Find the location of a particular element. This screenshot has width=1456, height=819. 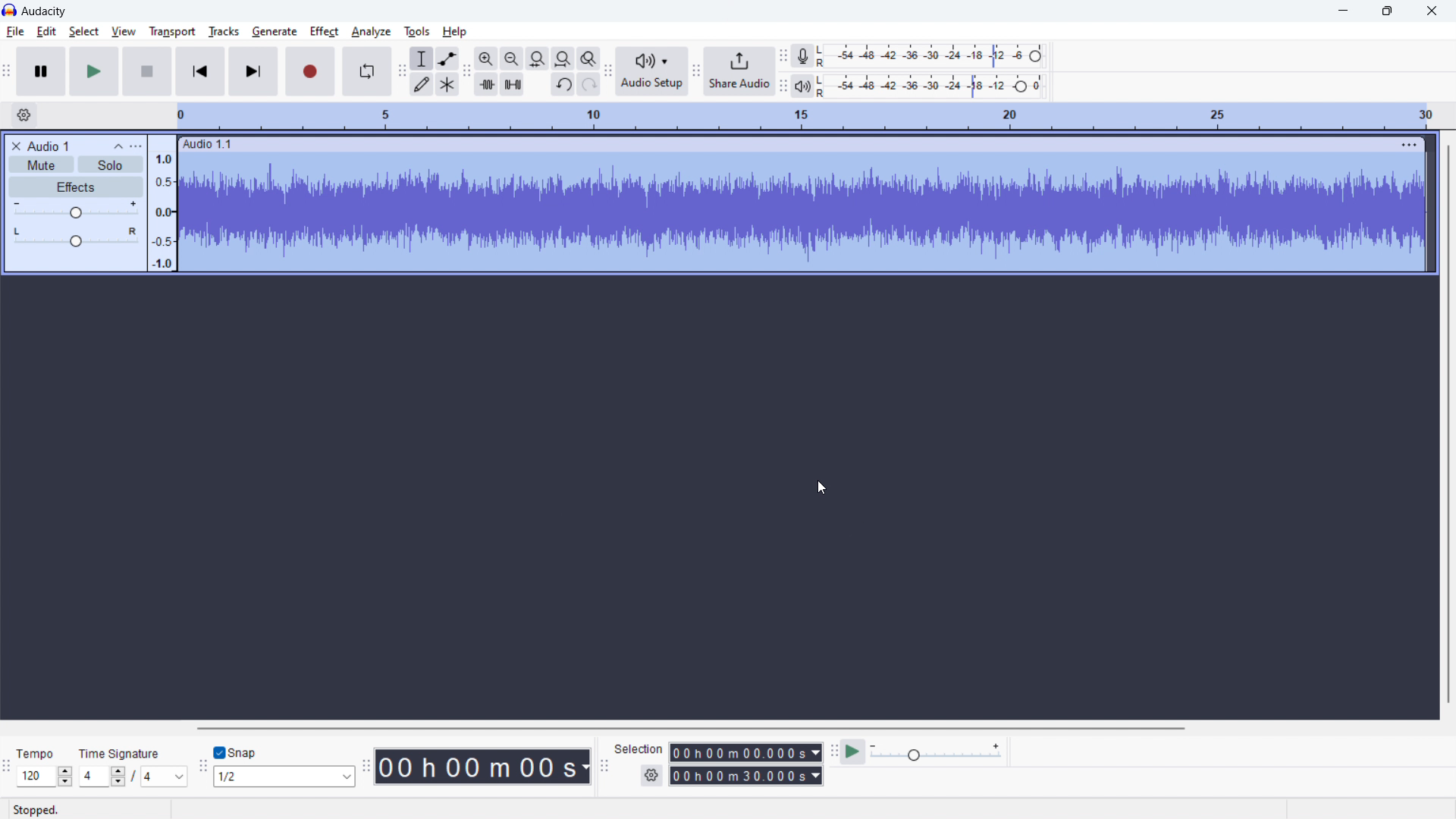

title is located at coordinates (44, 11).